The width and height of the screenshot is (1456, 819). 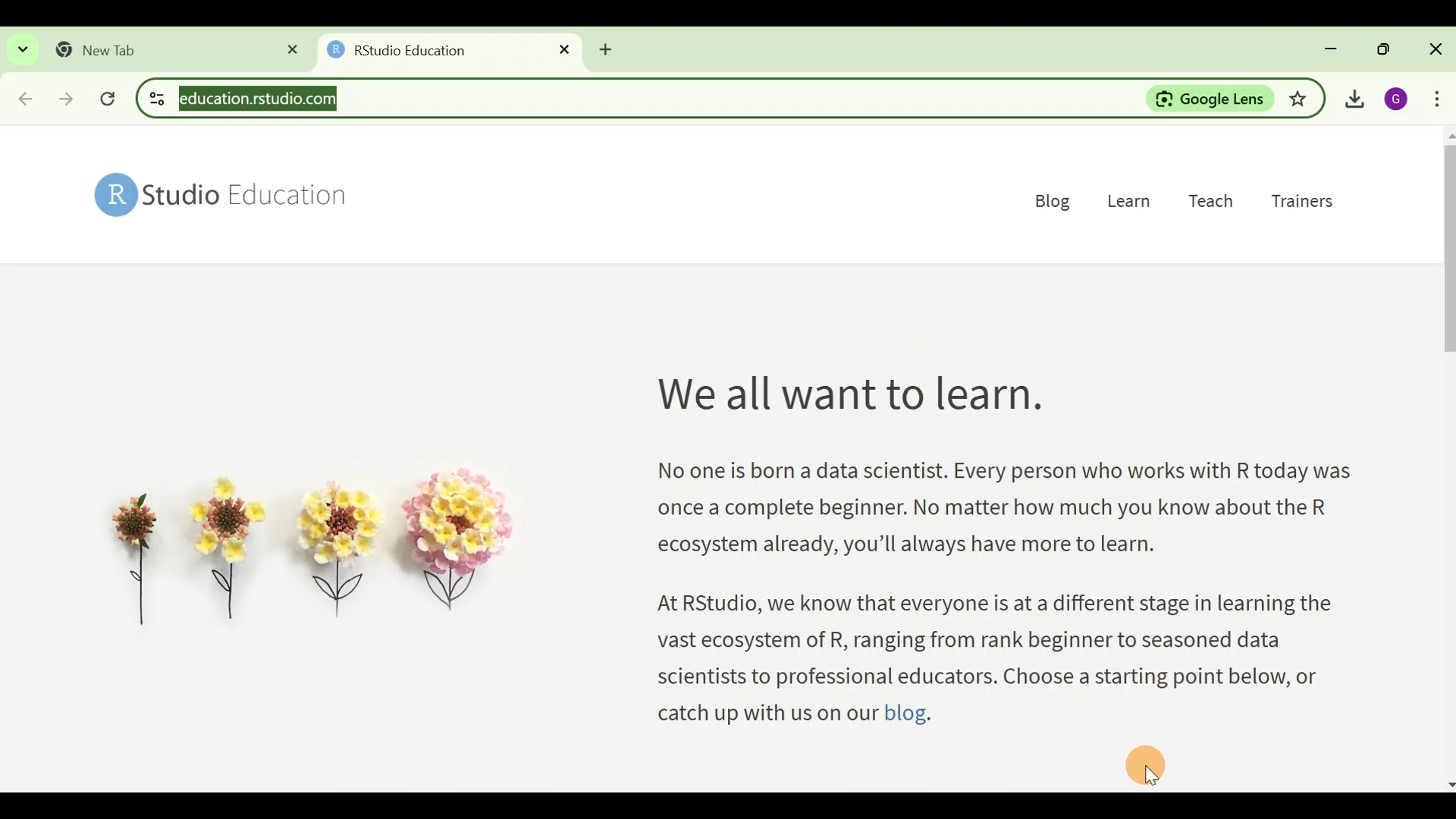 I want to click on Customize and control Google chrome, so click(x=1438, y=99).